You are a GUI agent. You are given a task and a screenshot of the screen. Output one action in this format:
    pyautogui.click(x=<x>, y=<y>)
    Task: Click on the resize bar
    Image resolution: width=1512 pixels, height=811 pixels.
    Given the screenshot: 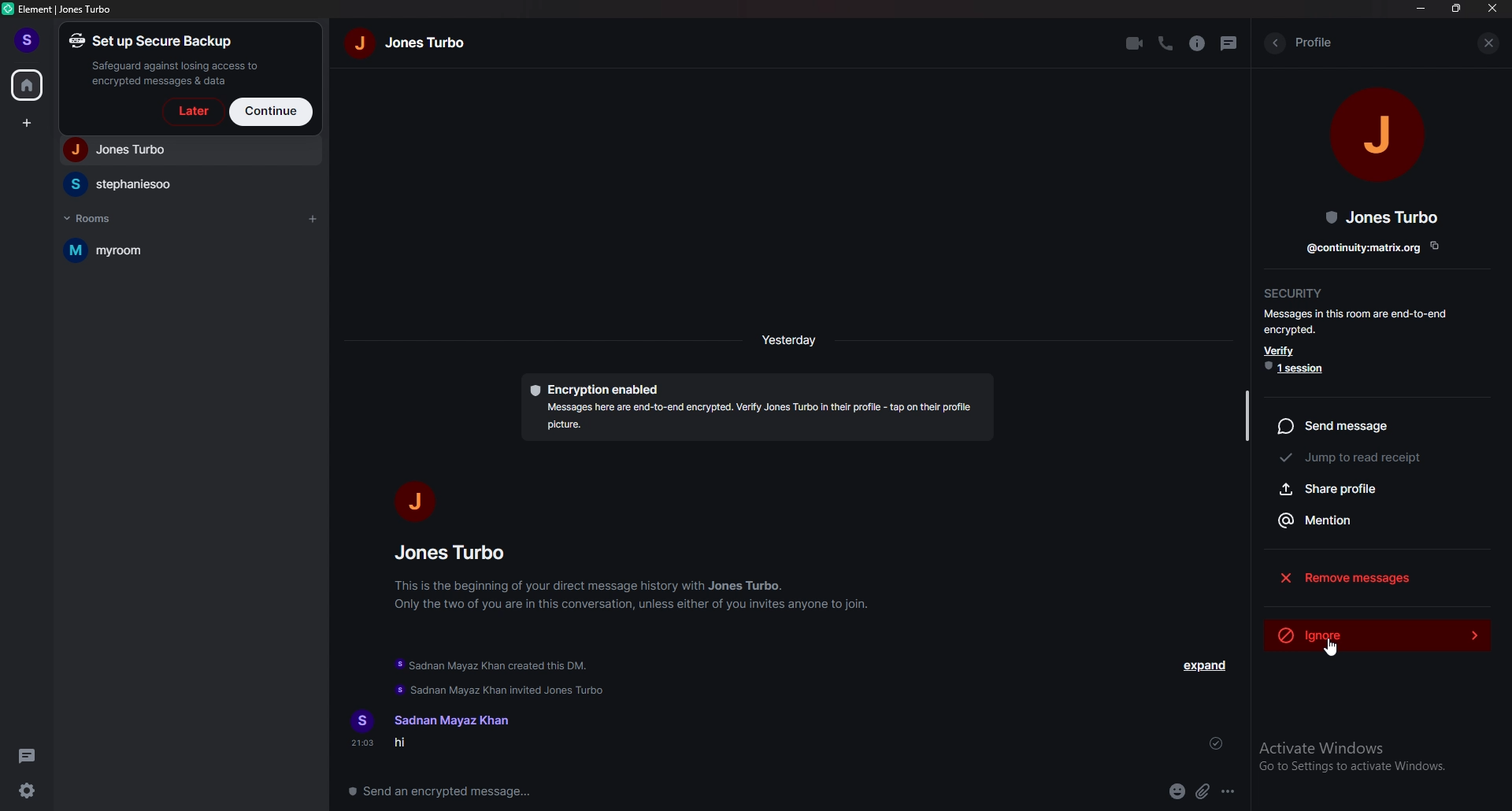 What is the action you would take?
    pyautogui.click(x=1246, y=413)
    